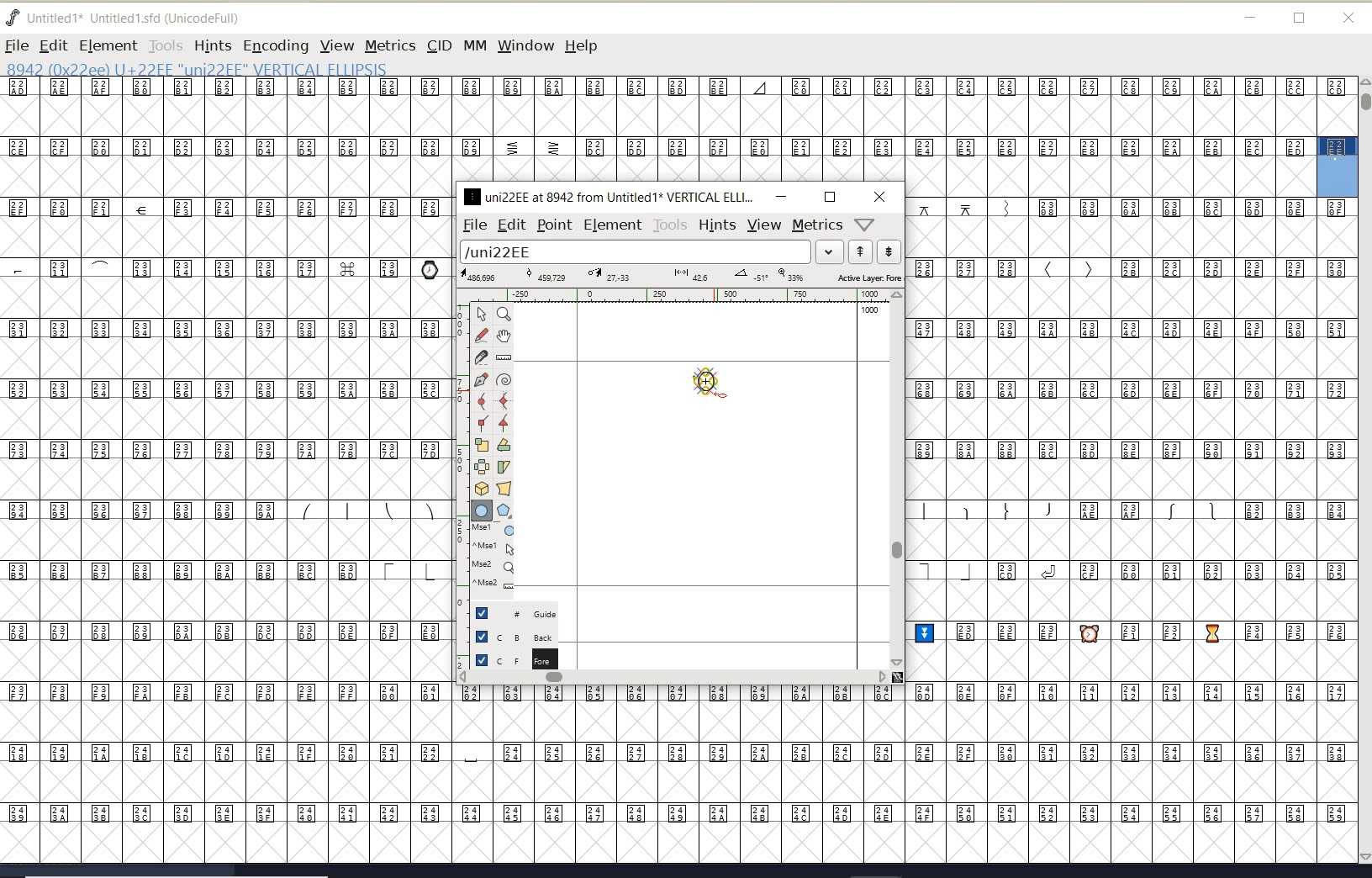  What do you see at coordinates (504, 488) in the screenshot?
I see `perform a perspective transformation on the selection` at bounding box center [504, 488].